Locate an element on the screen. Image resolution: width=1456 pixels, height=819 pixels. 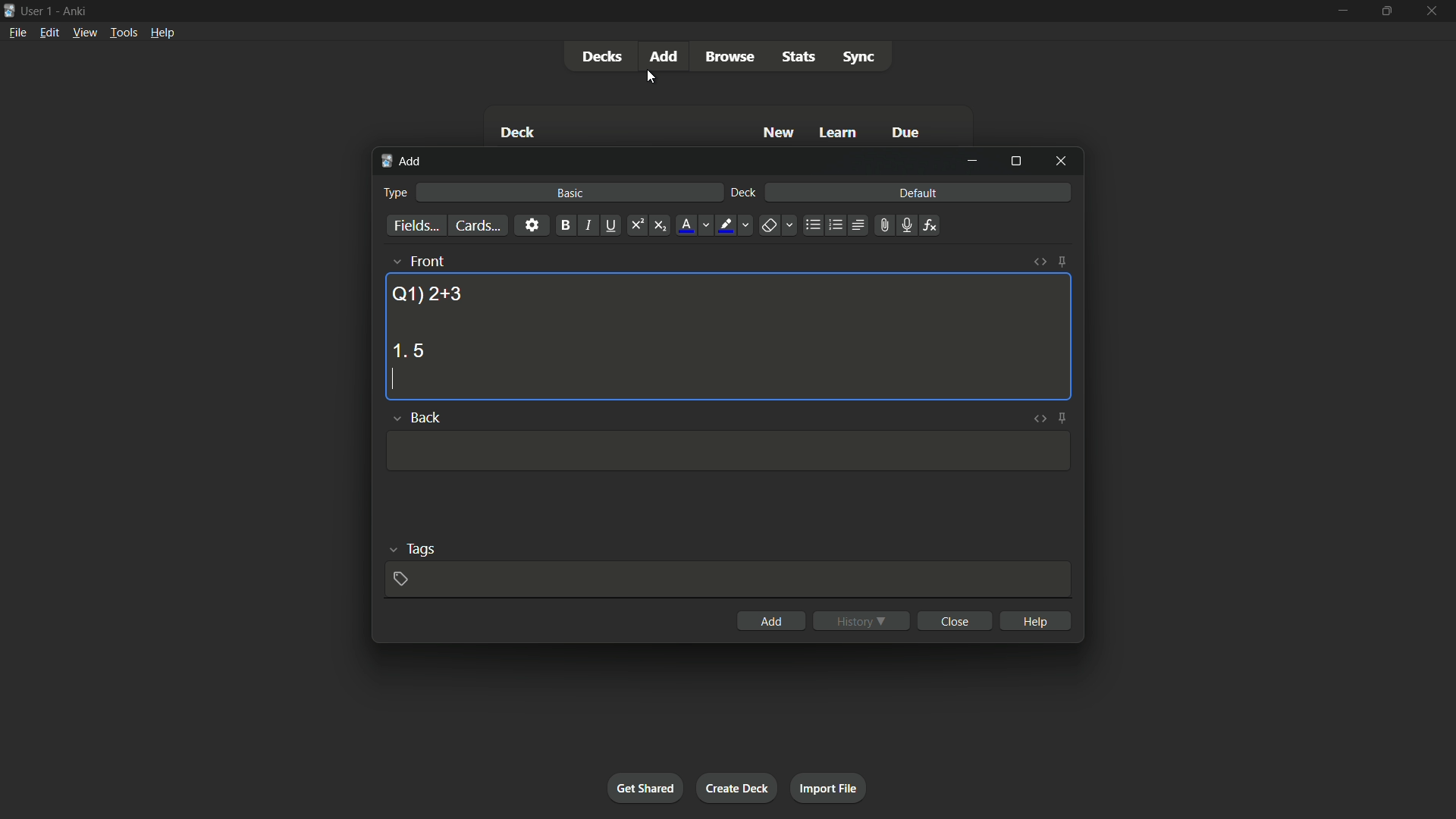
underline is located at coordinates (610, 225).